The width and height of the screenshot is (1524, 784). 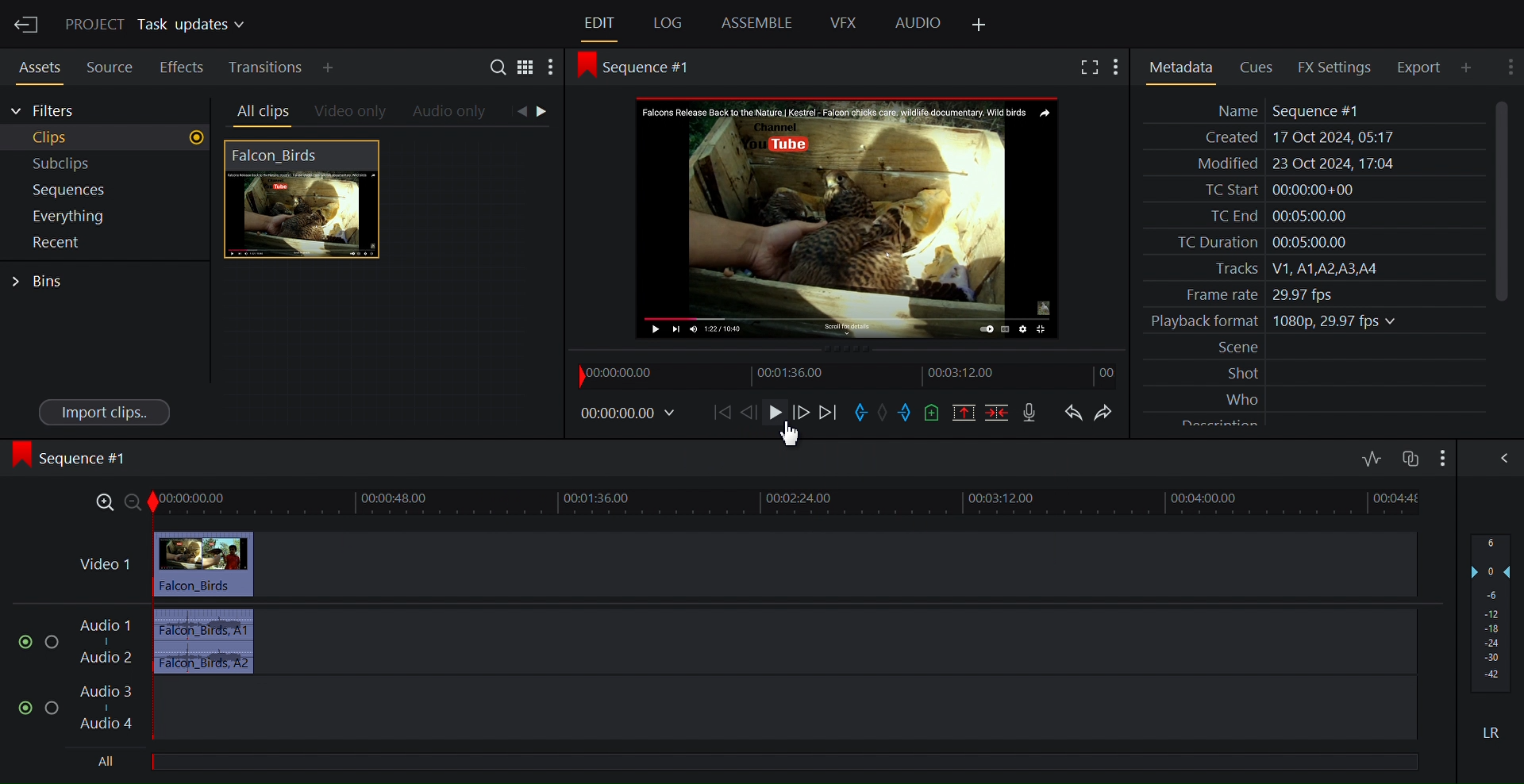 I want to click on Redo, so click(x=1109, y=413).